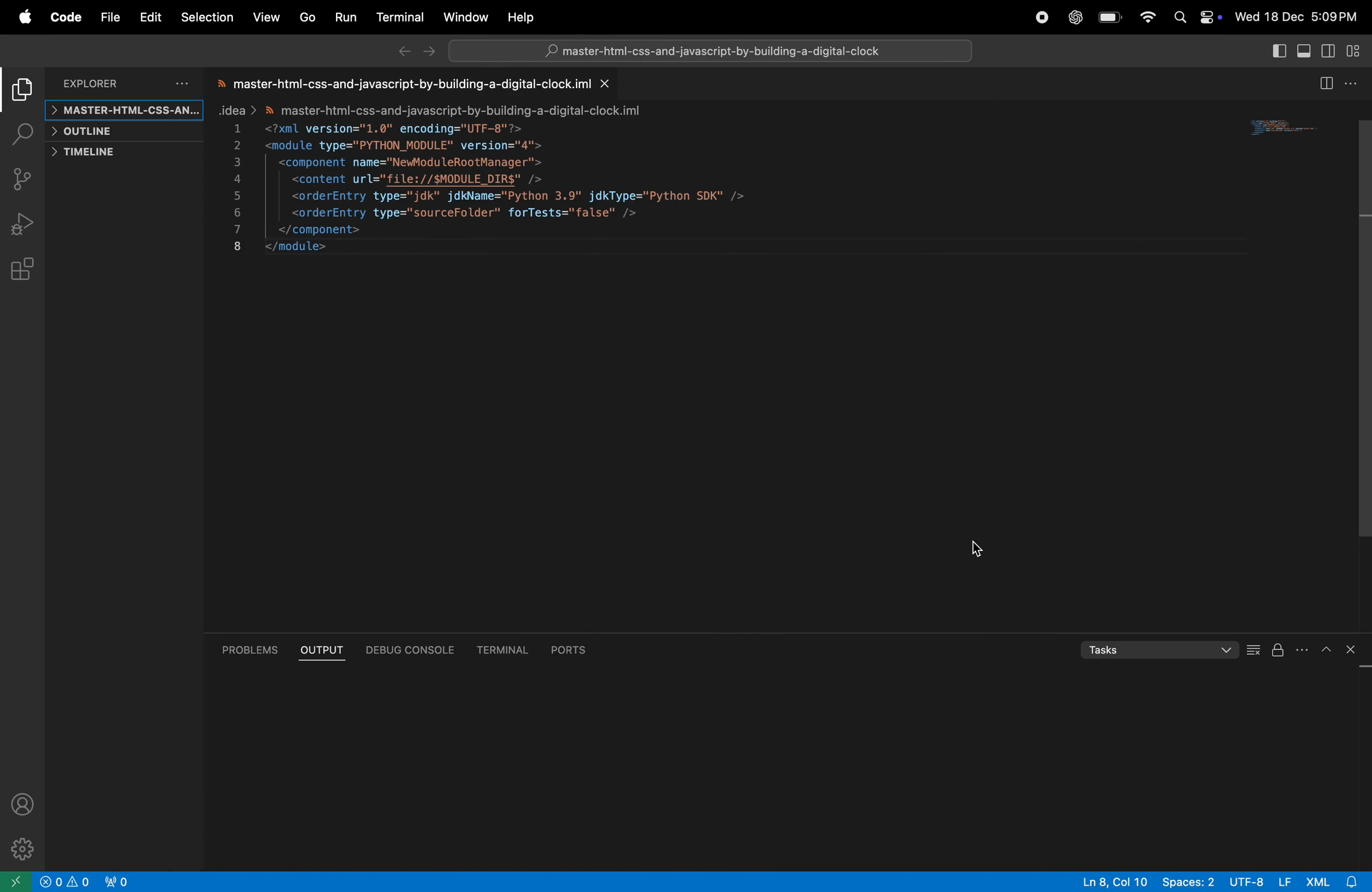  What do you see at coordinates (431, 54) in the screenshot?
I see `forward` at bounding box center [431, 54].